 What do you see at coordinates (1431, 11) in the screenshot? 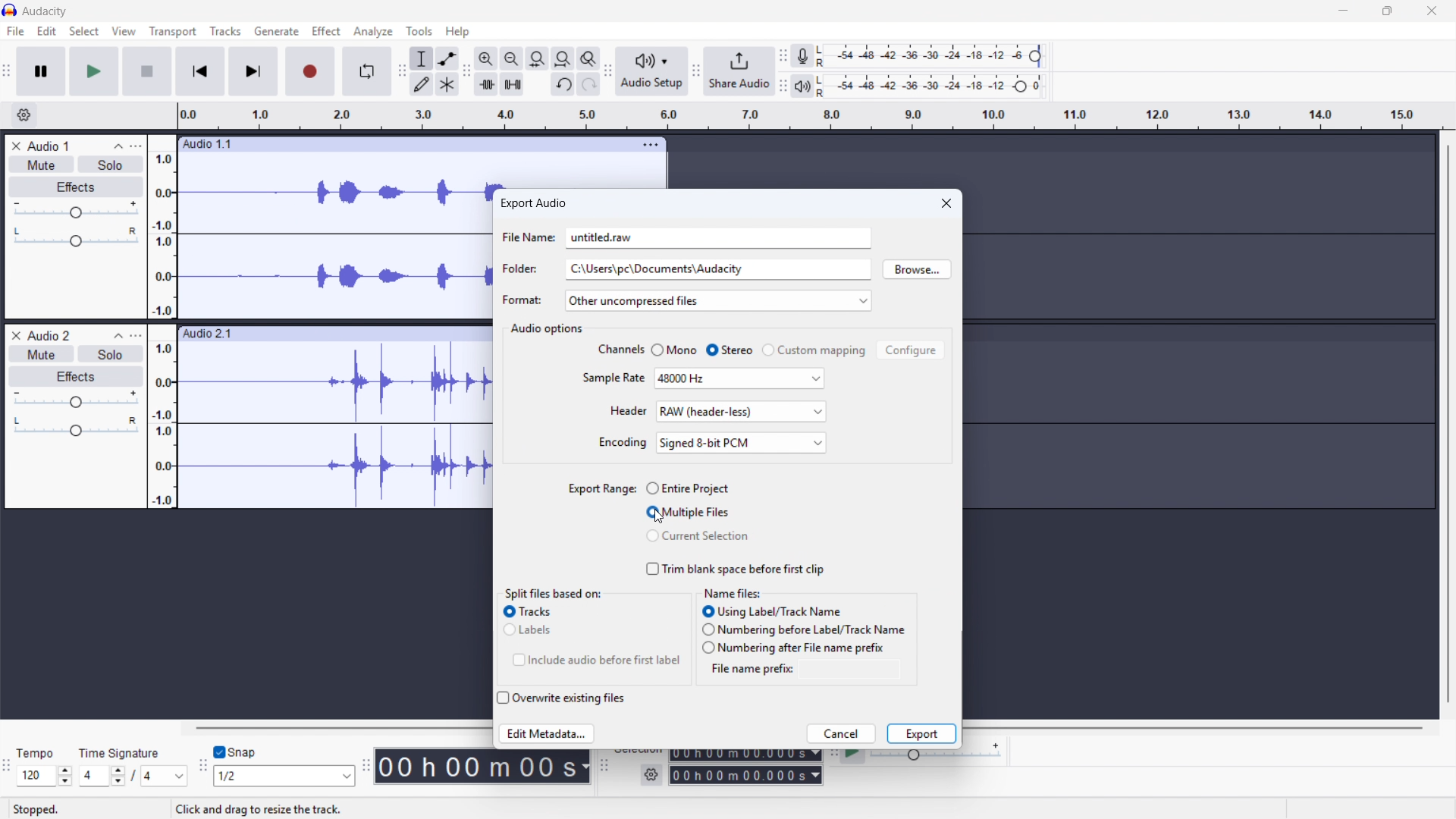
I see `Close ` at bounding box center [1431, 11].